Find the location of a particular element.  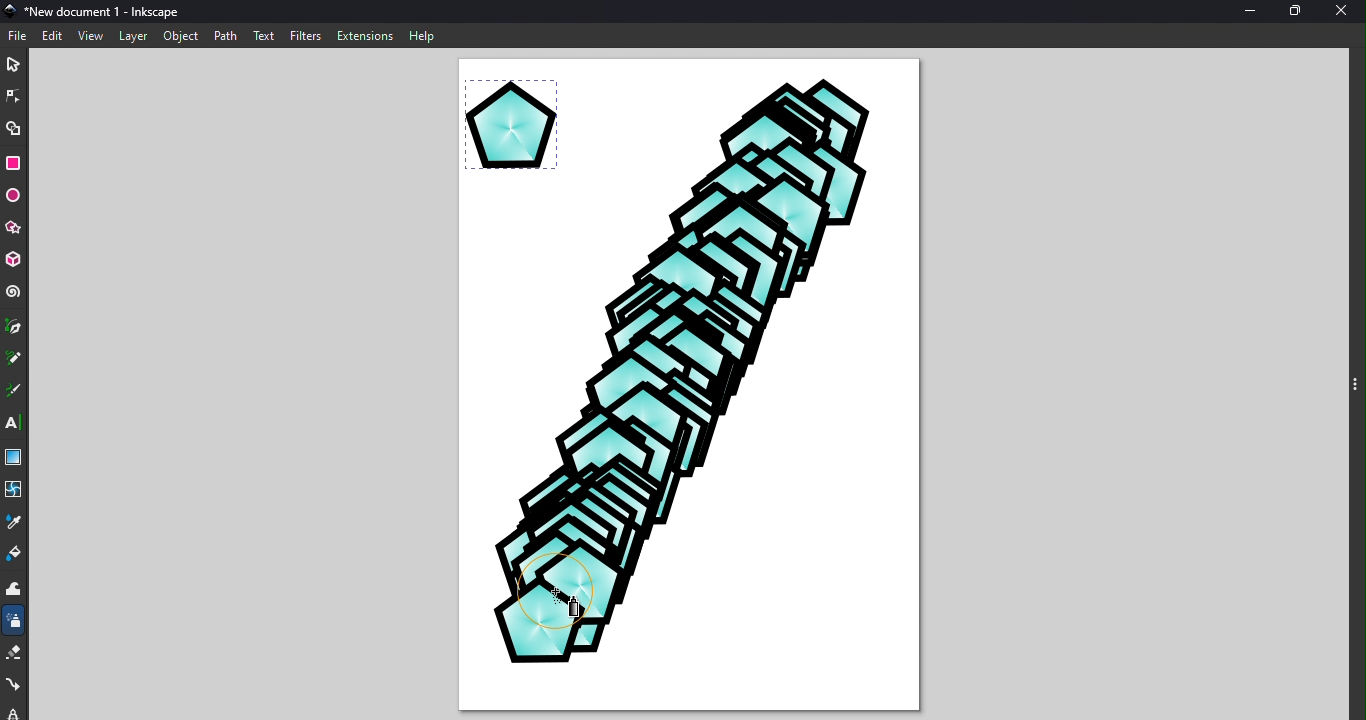

Node tool is located at coordinates (15, 93).